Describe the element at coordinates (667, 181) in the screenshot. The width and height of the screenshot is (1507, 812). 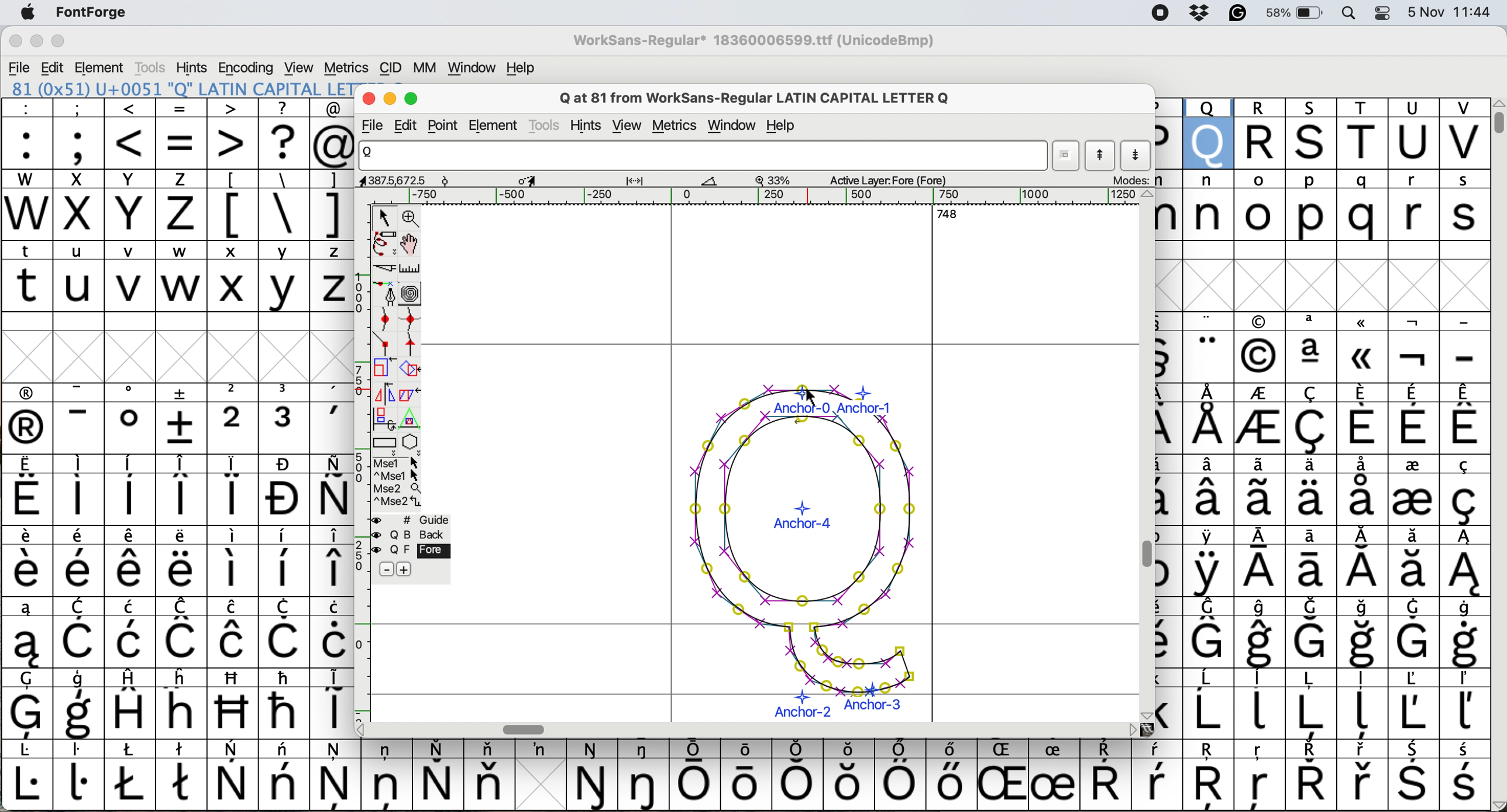
I see `glyph details` at that location.